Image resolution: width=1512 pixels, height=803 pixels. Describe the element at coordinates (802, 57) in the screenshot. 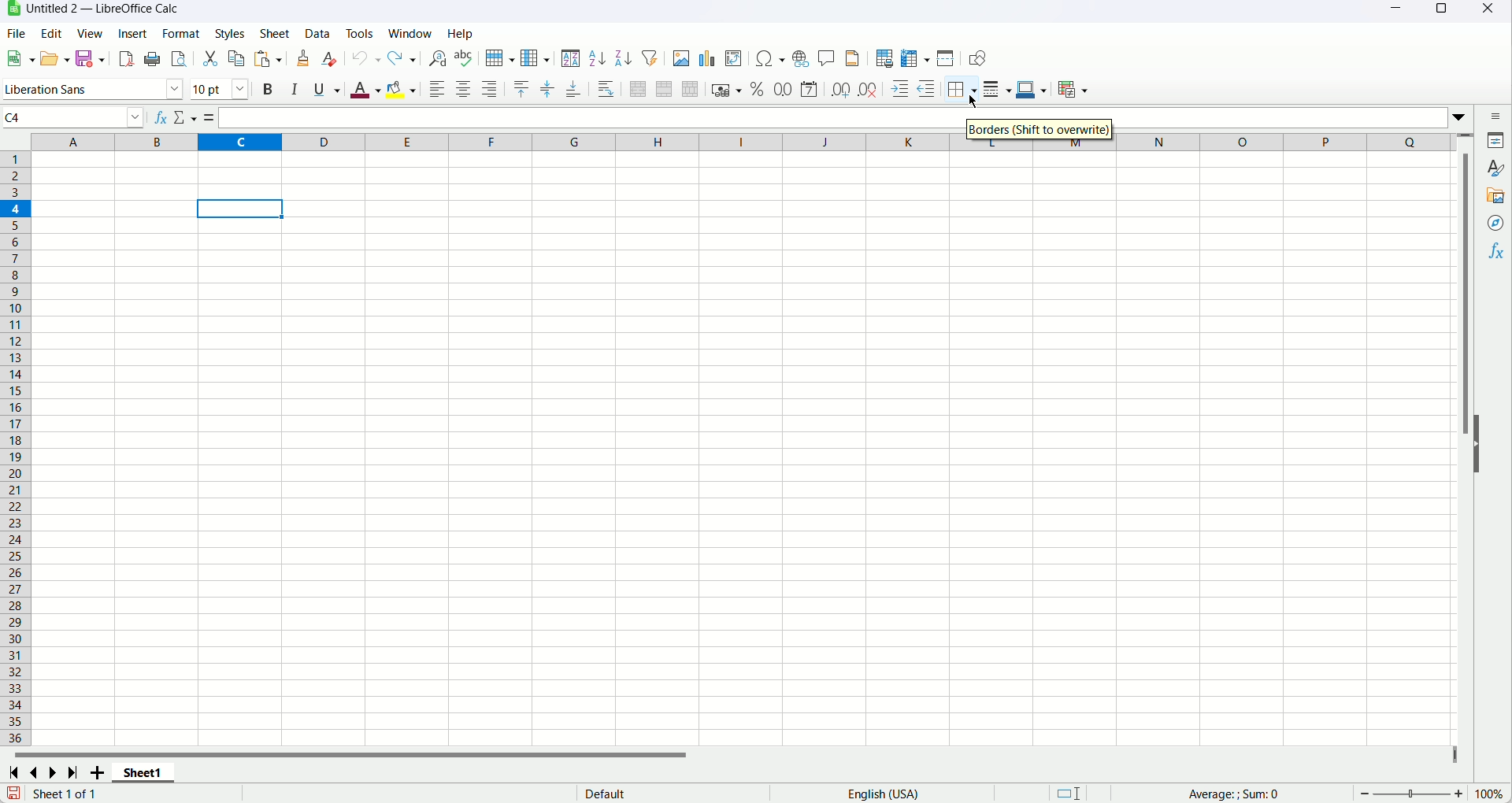

I see `Insert hyperlink` at that location.